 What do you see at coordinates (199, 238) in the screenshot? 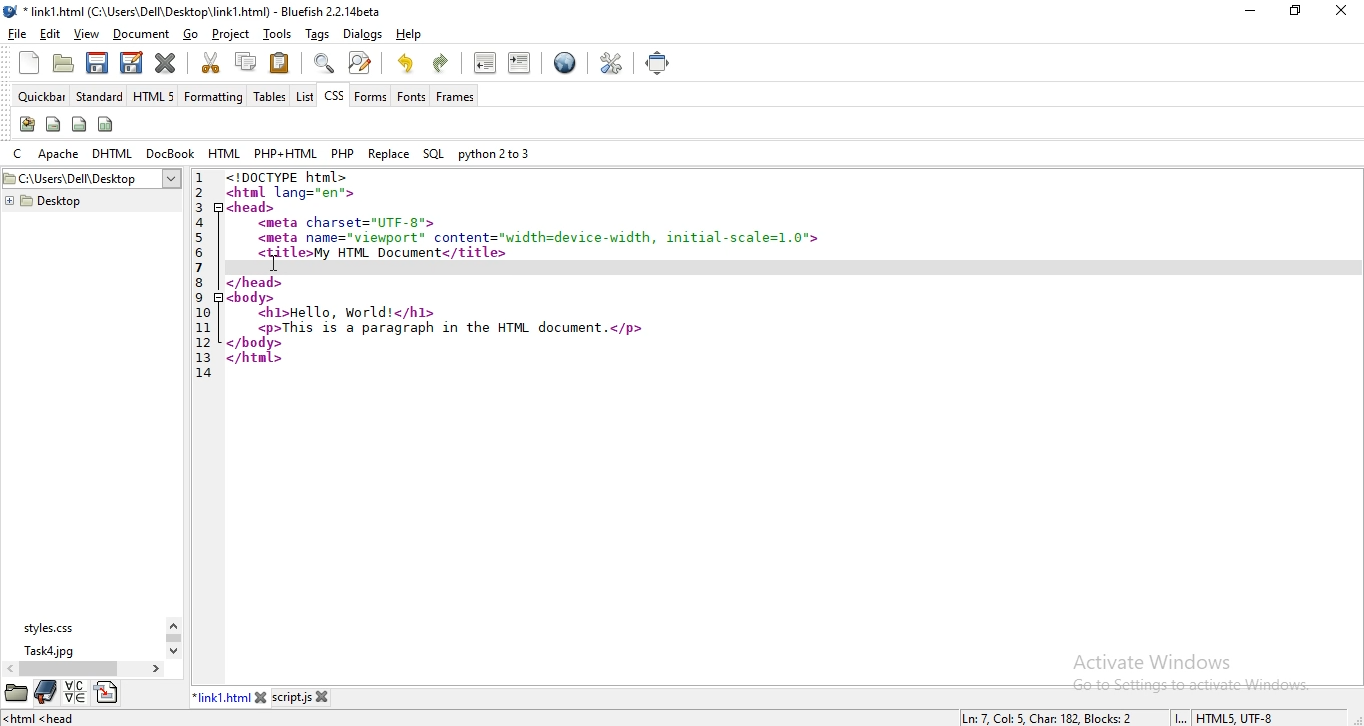
I see `5` at bounding box center [199, 238].